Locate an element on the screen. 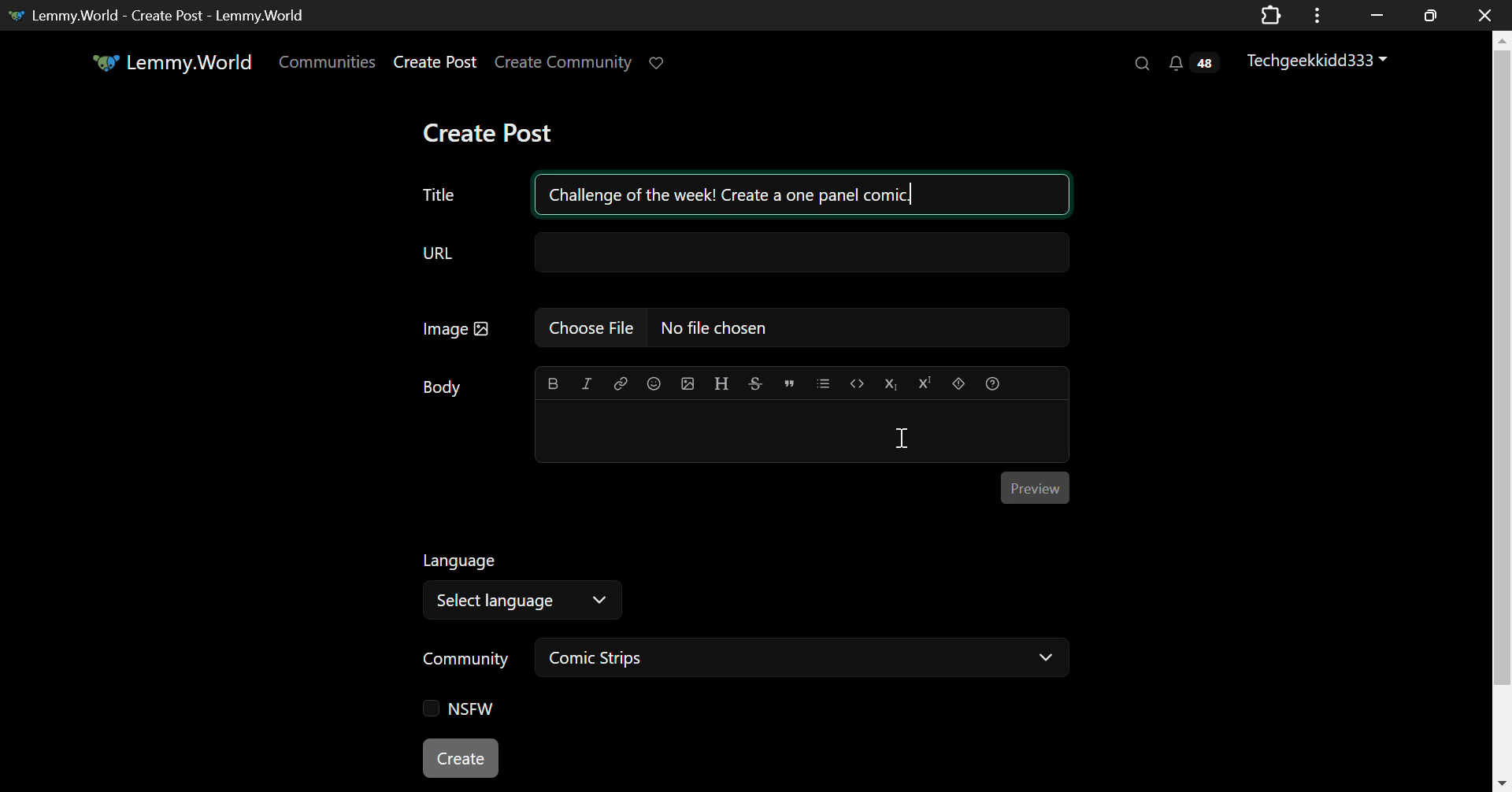  NSFW is located at coordinates (461, 710).